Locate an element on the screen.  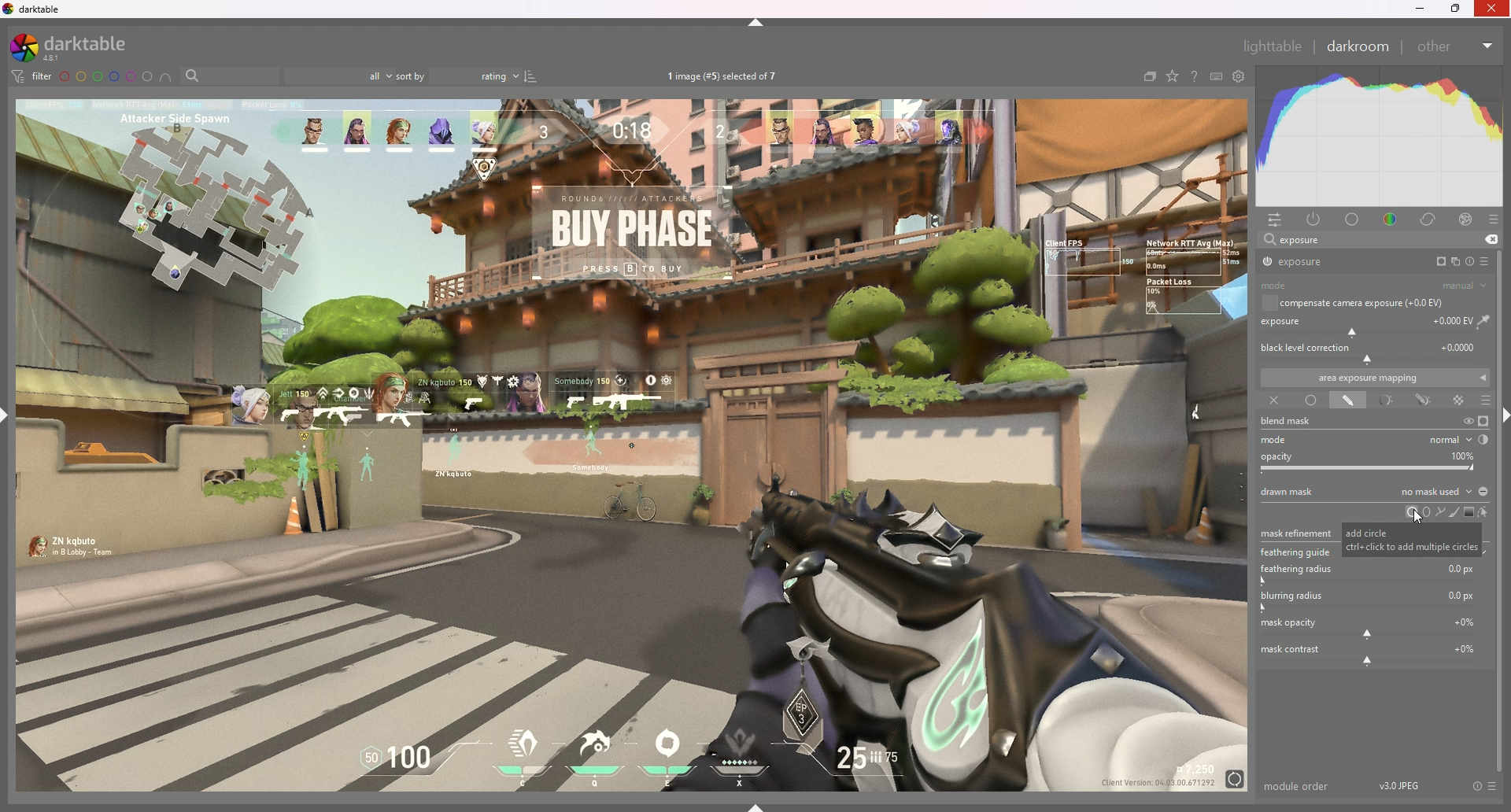
mode is located at coordinates (1374, 286).